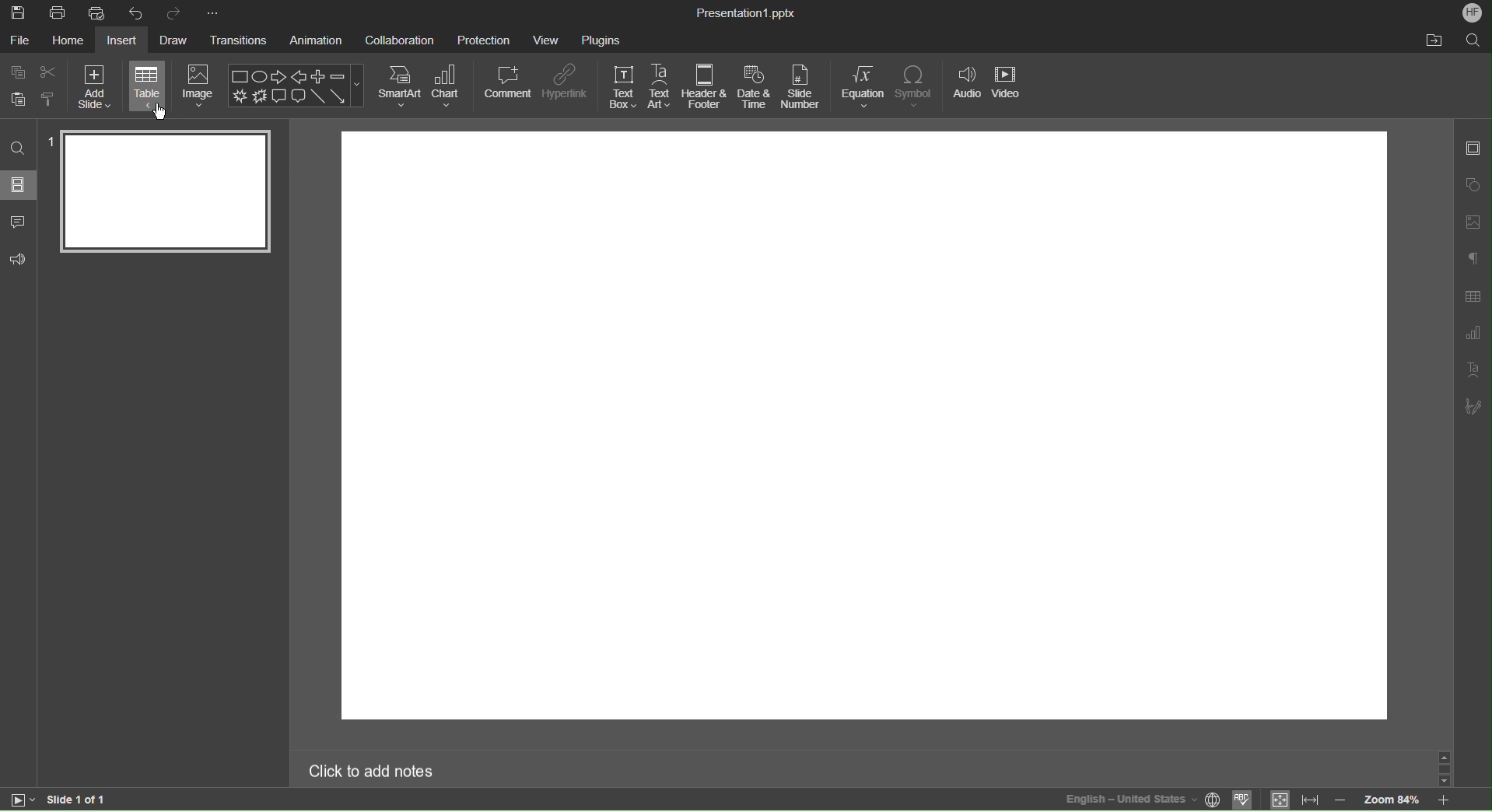  Describe the element at coordinates (1473, 405) in the screenshot. I see `Signature` at that location.